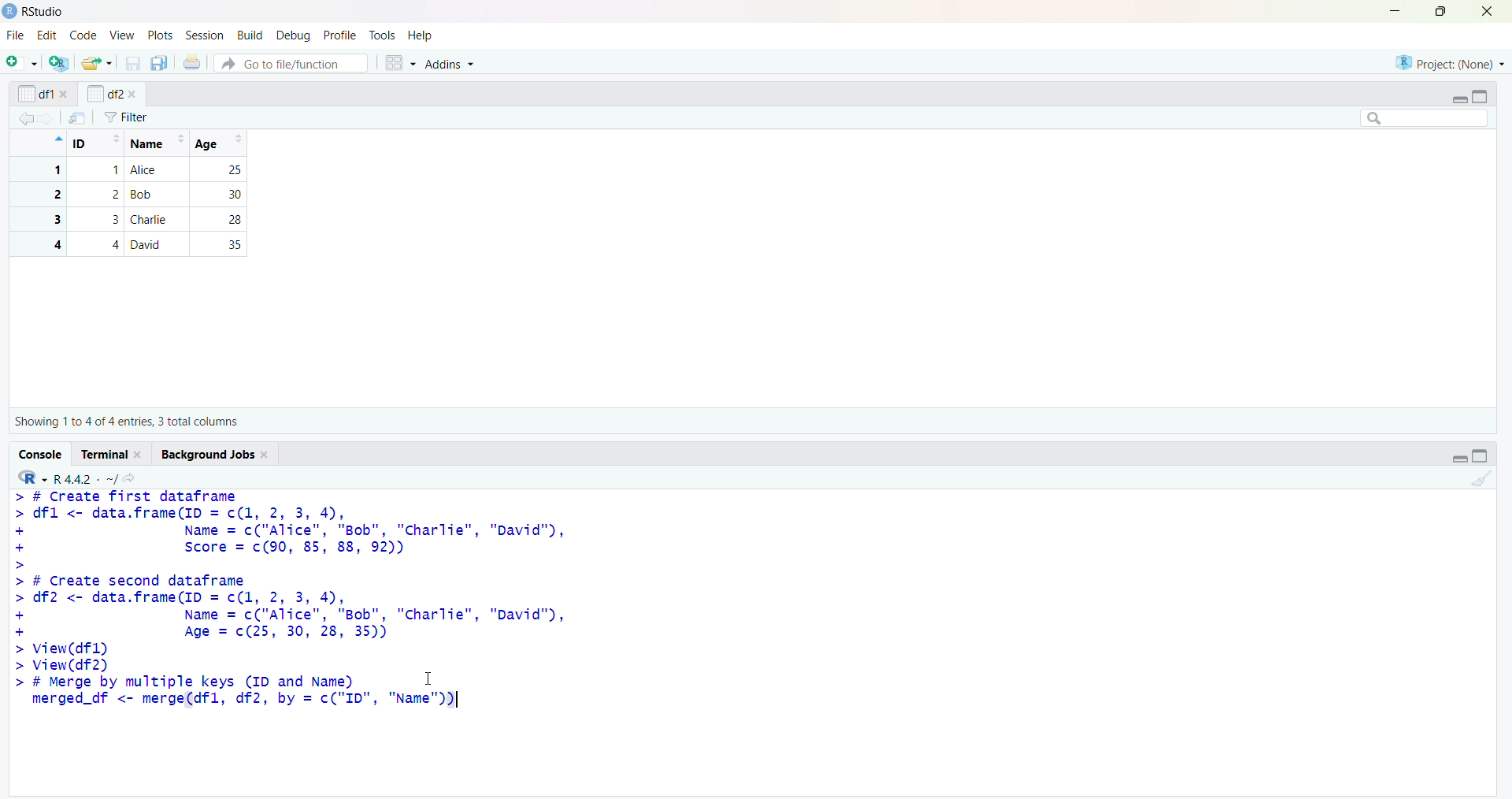  What do you see at coordinates (162, 36) in the screenshot?
I see `plots` at bounding box center [162, 36].